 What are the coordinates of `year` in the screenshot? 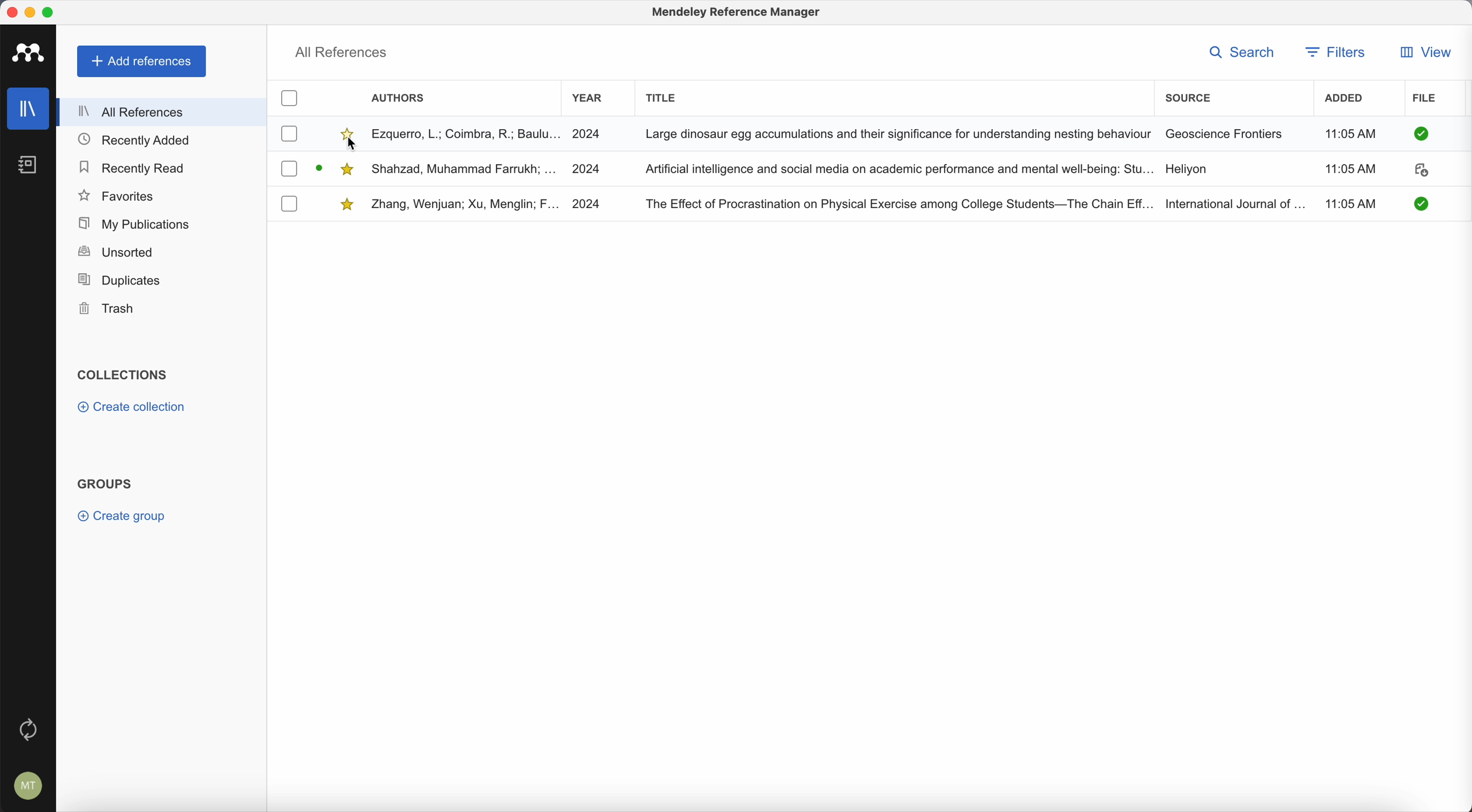 It's located at (588, 98).